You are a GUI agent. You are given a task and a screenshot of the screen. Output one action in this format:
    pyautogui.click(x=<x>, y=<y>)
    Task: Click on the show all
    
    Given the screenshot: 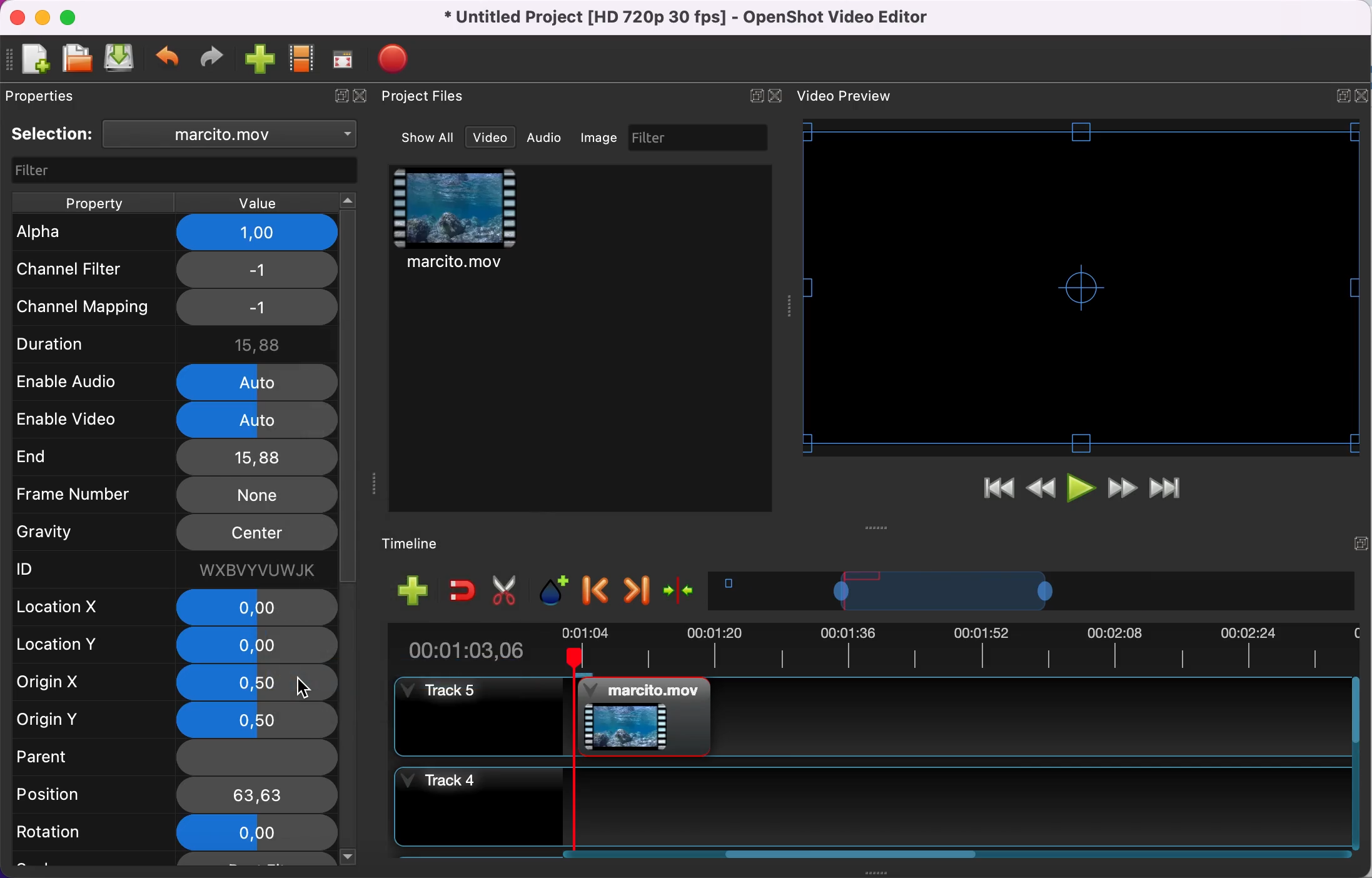 What is the action you would take?
    pyautogui.click(x=429, y=138)
    